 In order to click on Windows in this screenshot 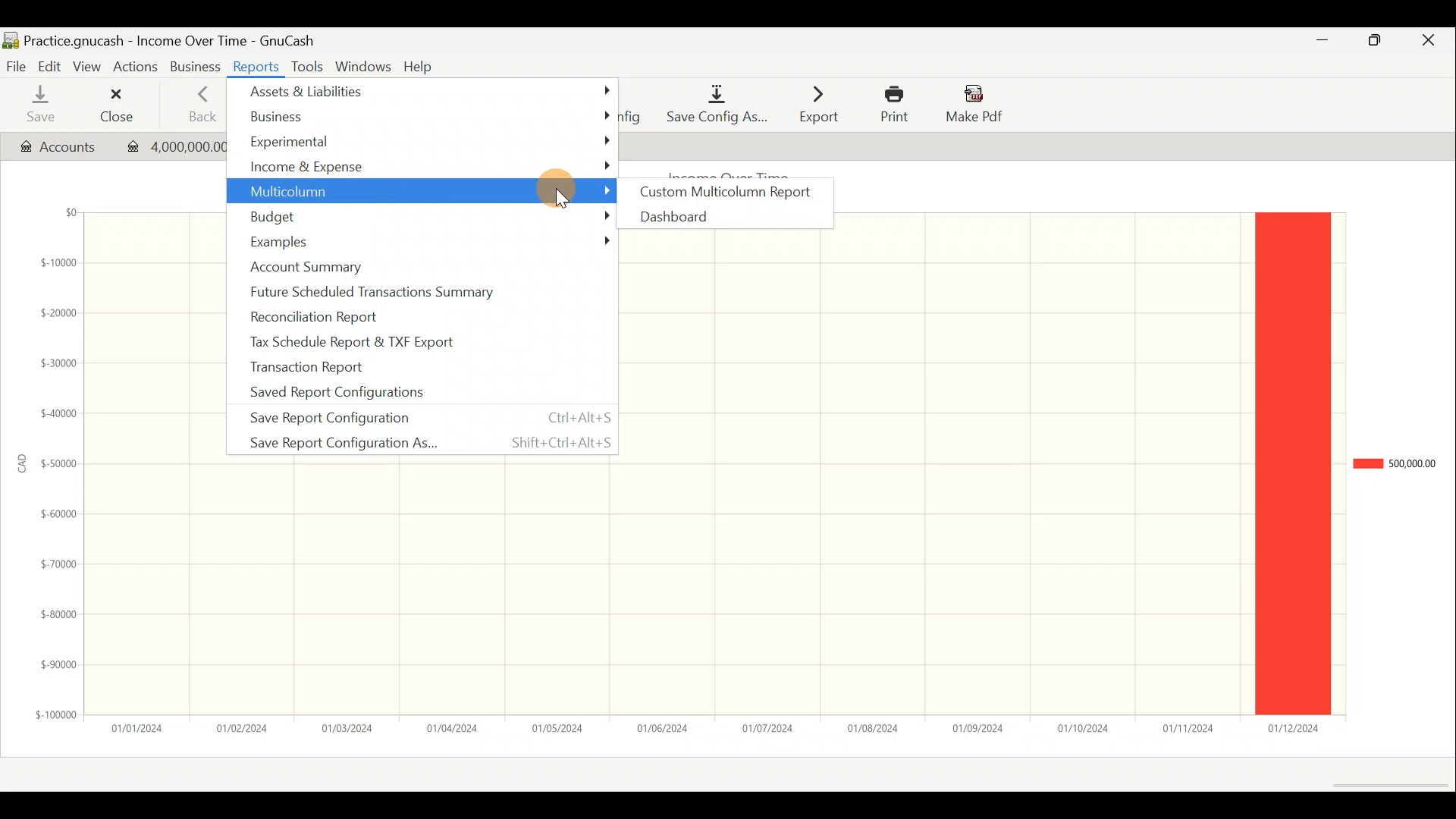, I will do `click(363, 66)`.